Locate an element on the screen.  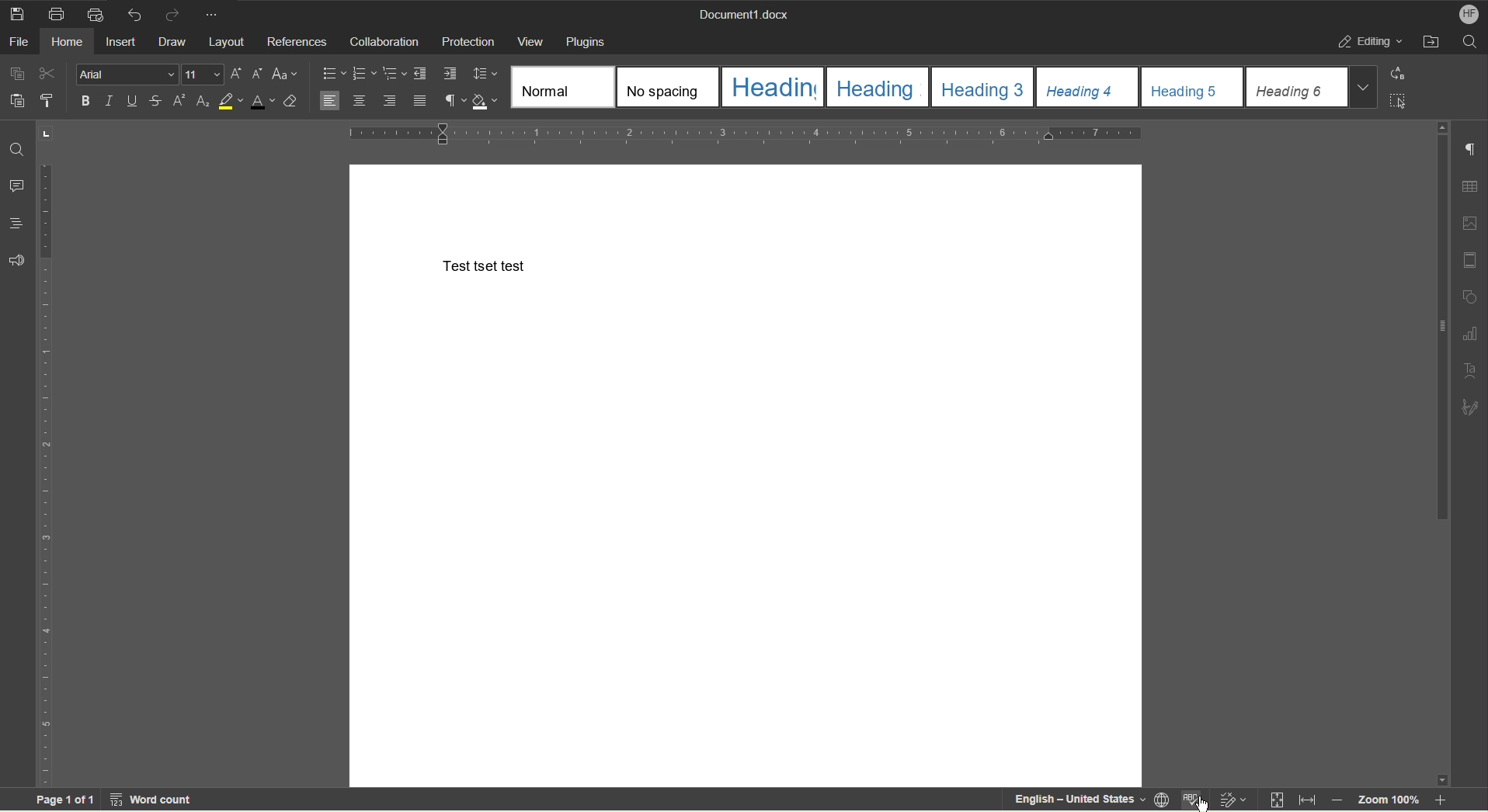
Bold is located at coordinates (85, 100).